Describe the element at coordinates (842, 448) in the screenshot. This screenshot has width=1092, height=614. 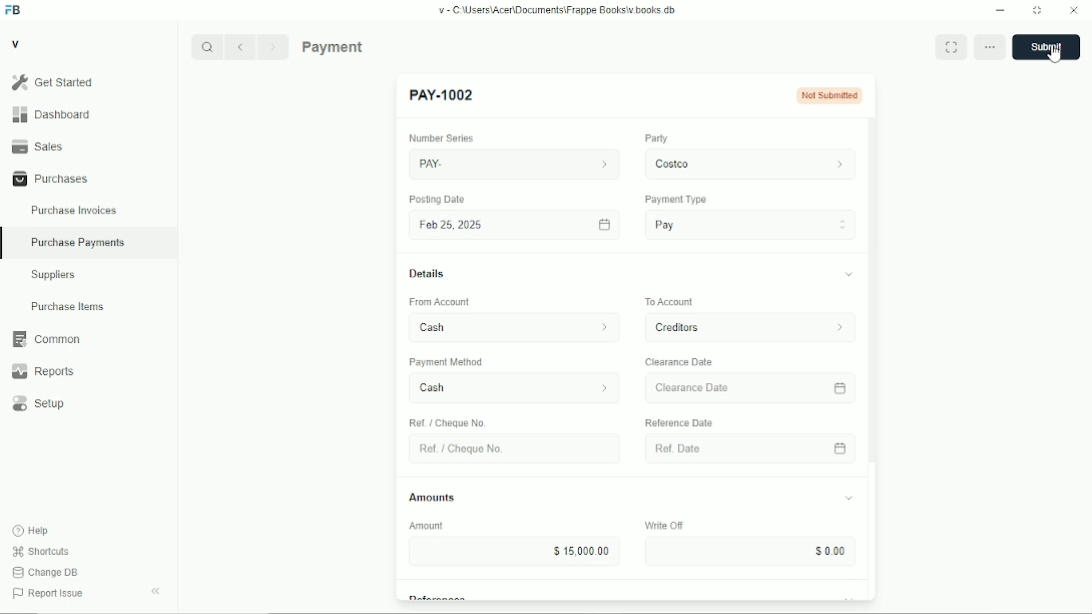
I see `calender` at that location.